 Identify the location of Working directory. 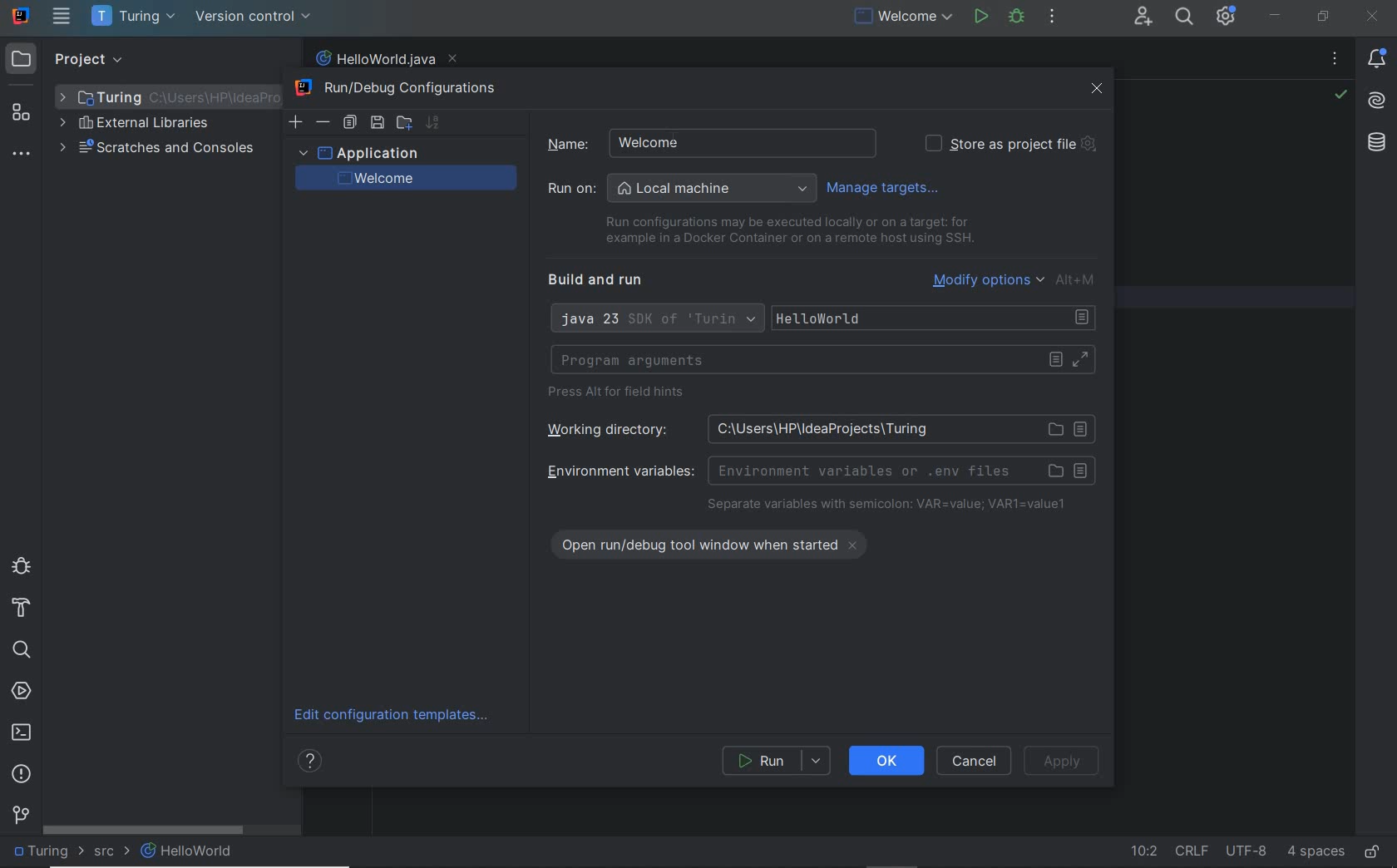
(815, 428).